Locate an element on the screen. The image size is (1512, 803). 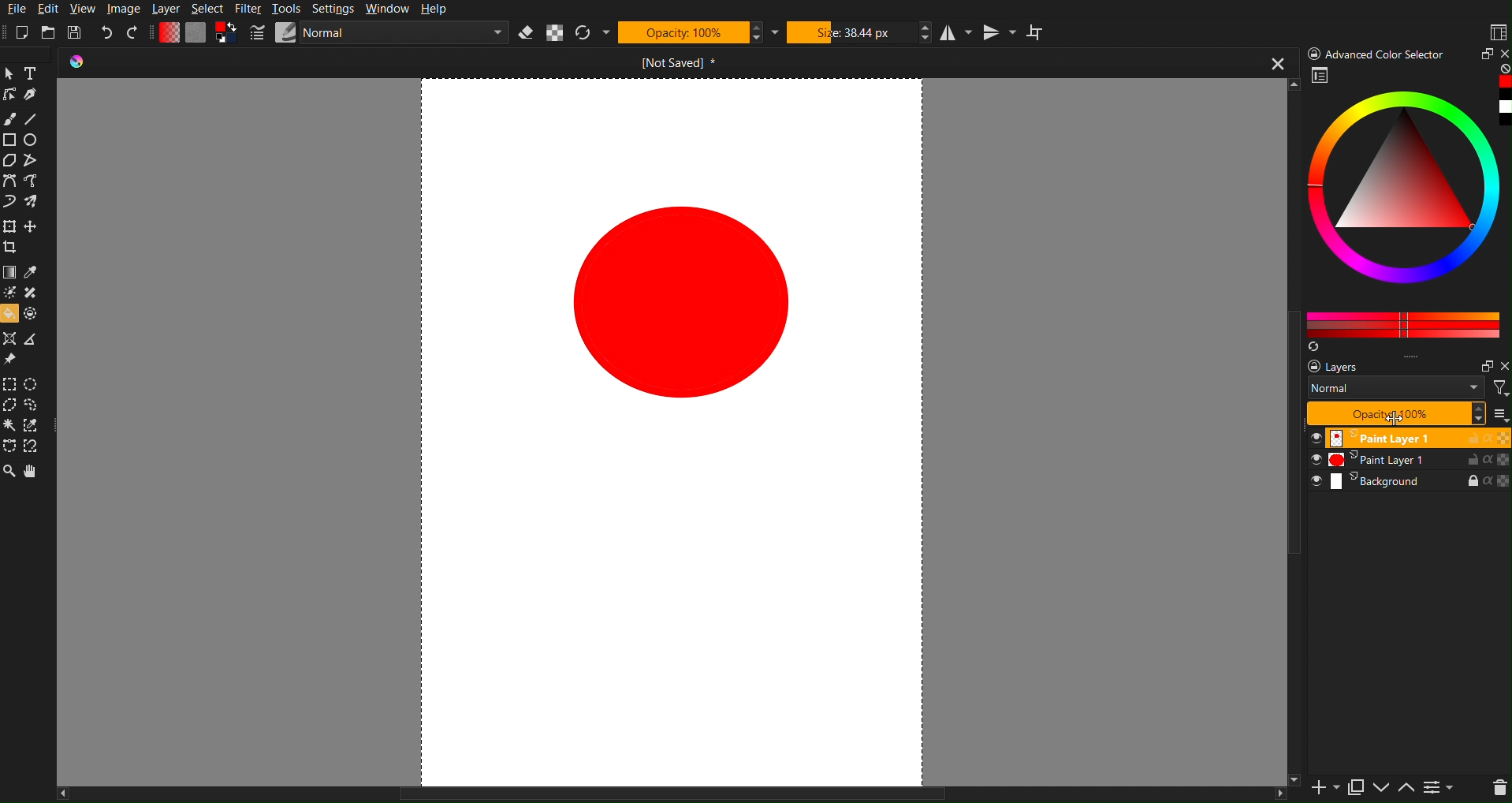
Save is located at coordinates (76, 34).